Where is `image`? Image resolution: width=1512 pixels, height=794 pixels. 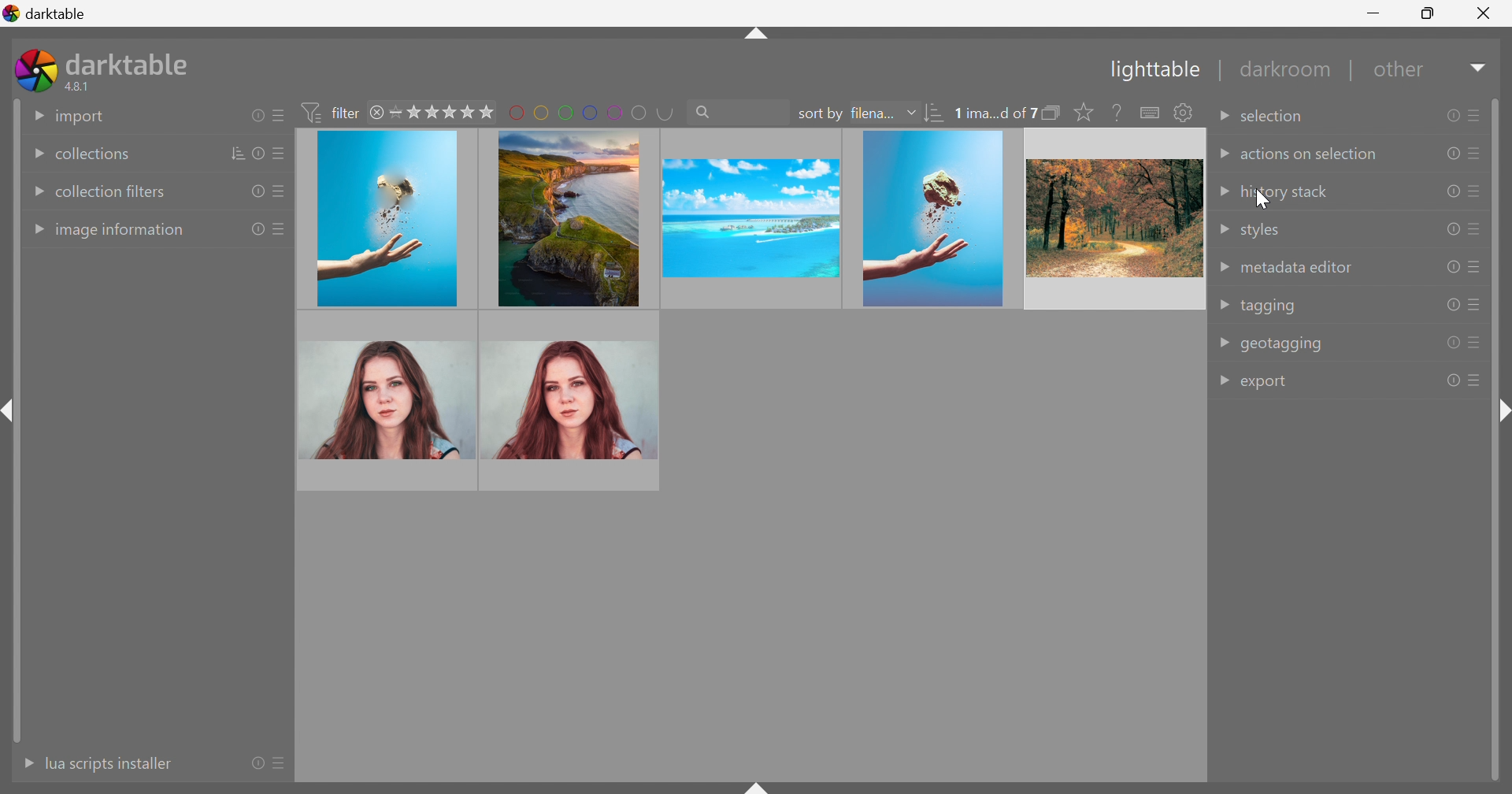 image is located at coordinates (565, 217).